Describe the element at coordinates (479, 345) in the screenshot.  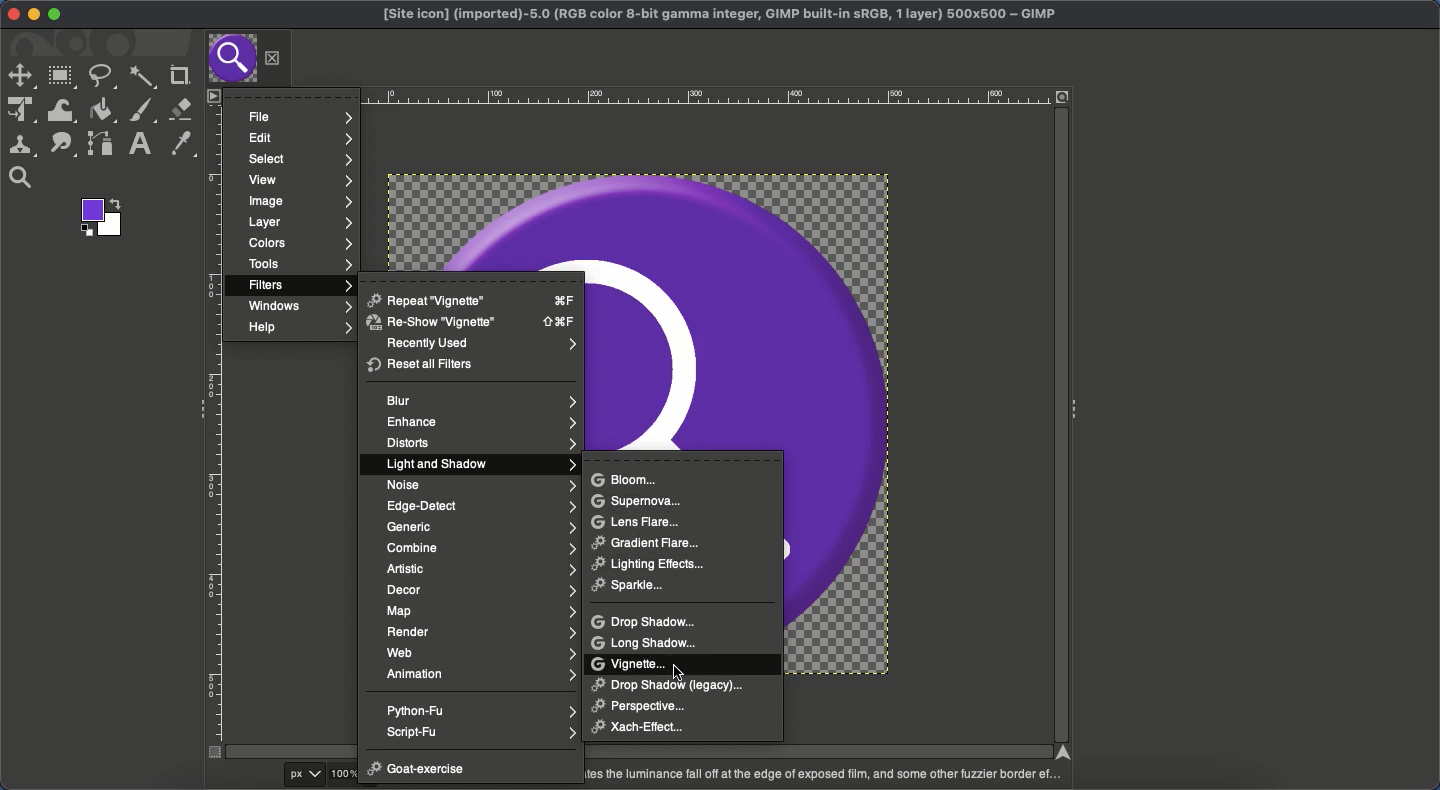
I see `Recently used` at that location.